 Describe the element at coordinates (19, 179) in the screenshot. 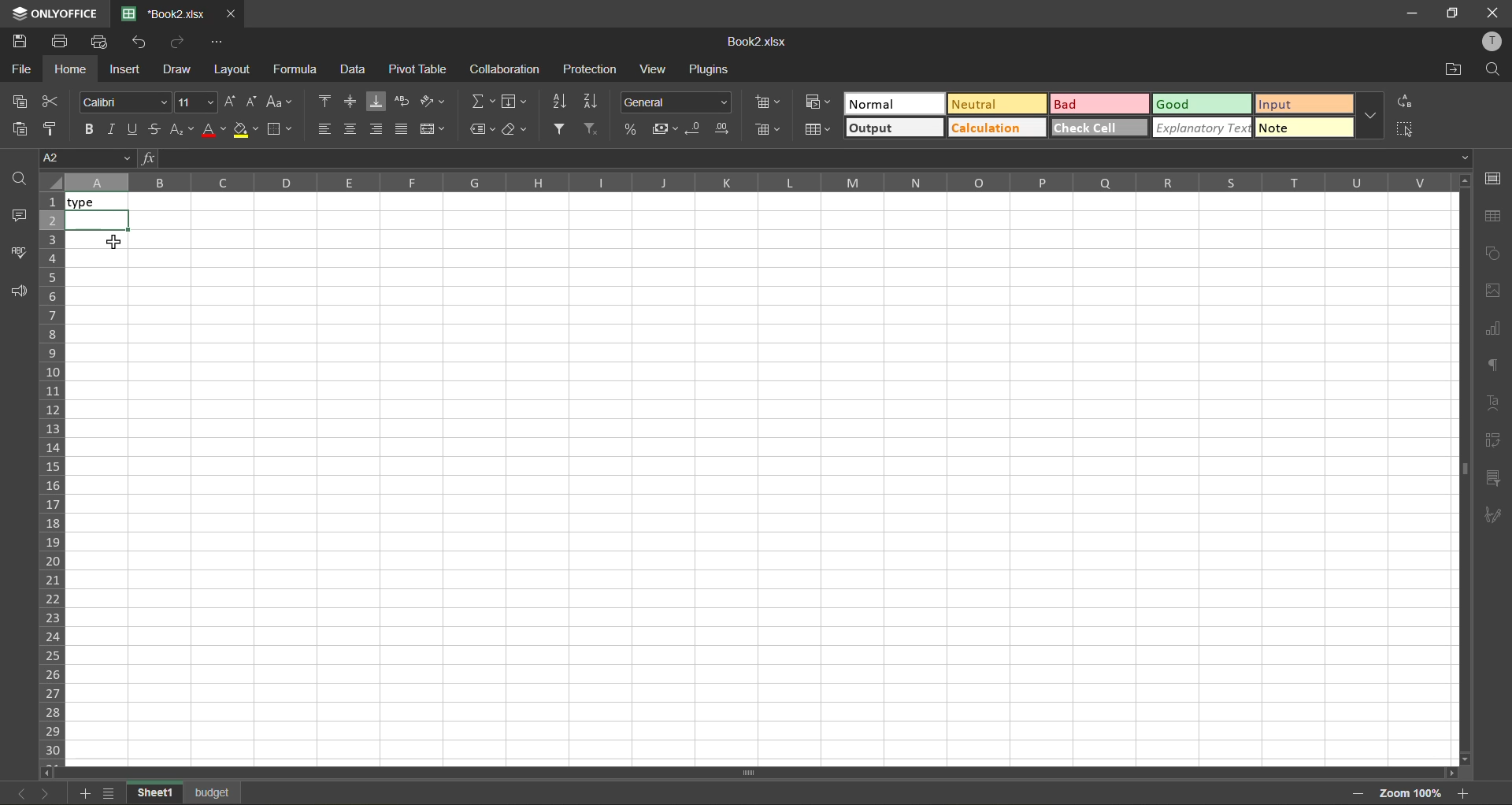

I see `find` at that location.